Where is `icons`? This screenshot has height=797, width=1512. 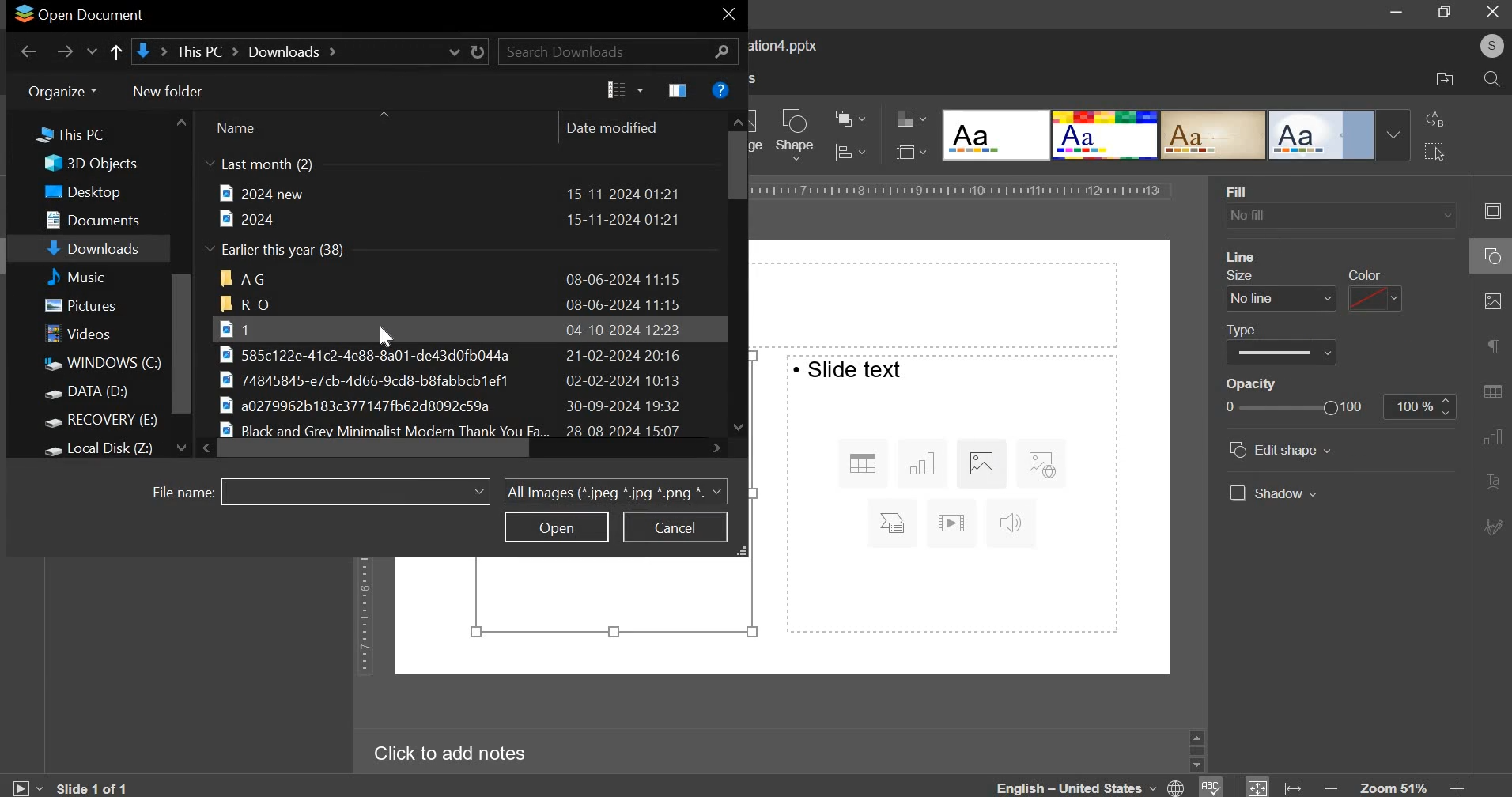
icons is located at coordinates (950, 496).